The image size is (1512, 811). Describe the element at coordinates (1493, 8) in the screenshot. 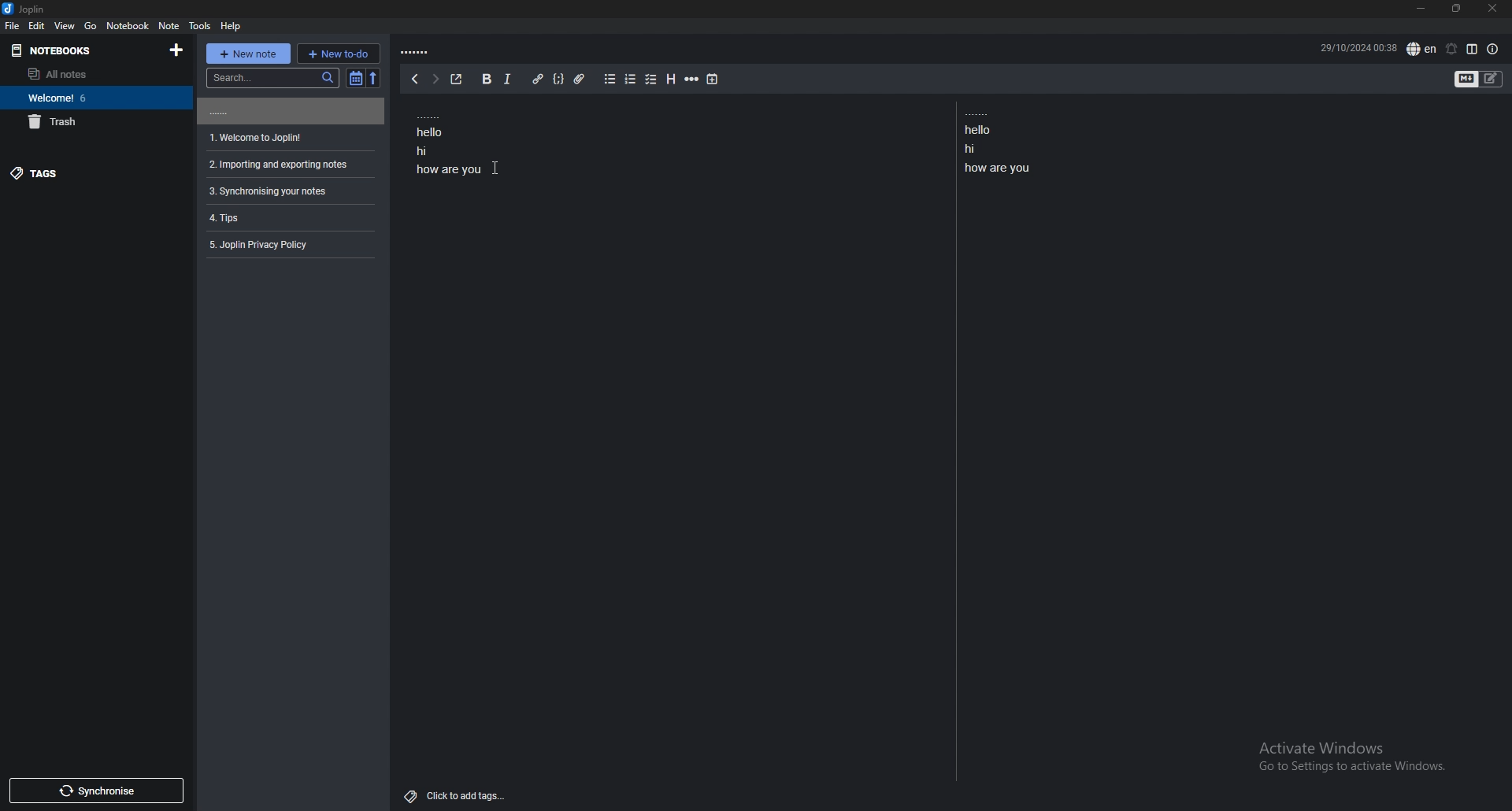

I see `close` at that location.